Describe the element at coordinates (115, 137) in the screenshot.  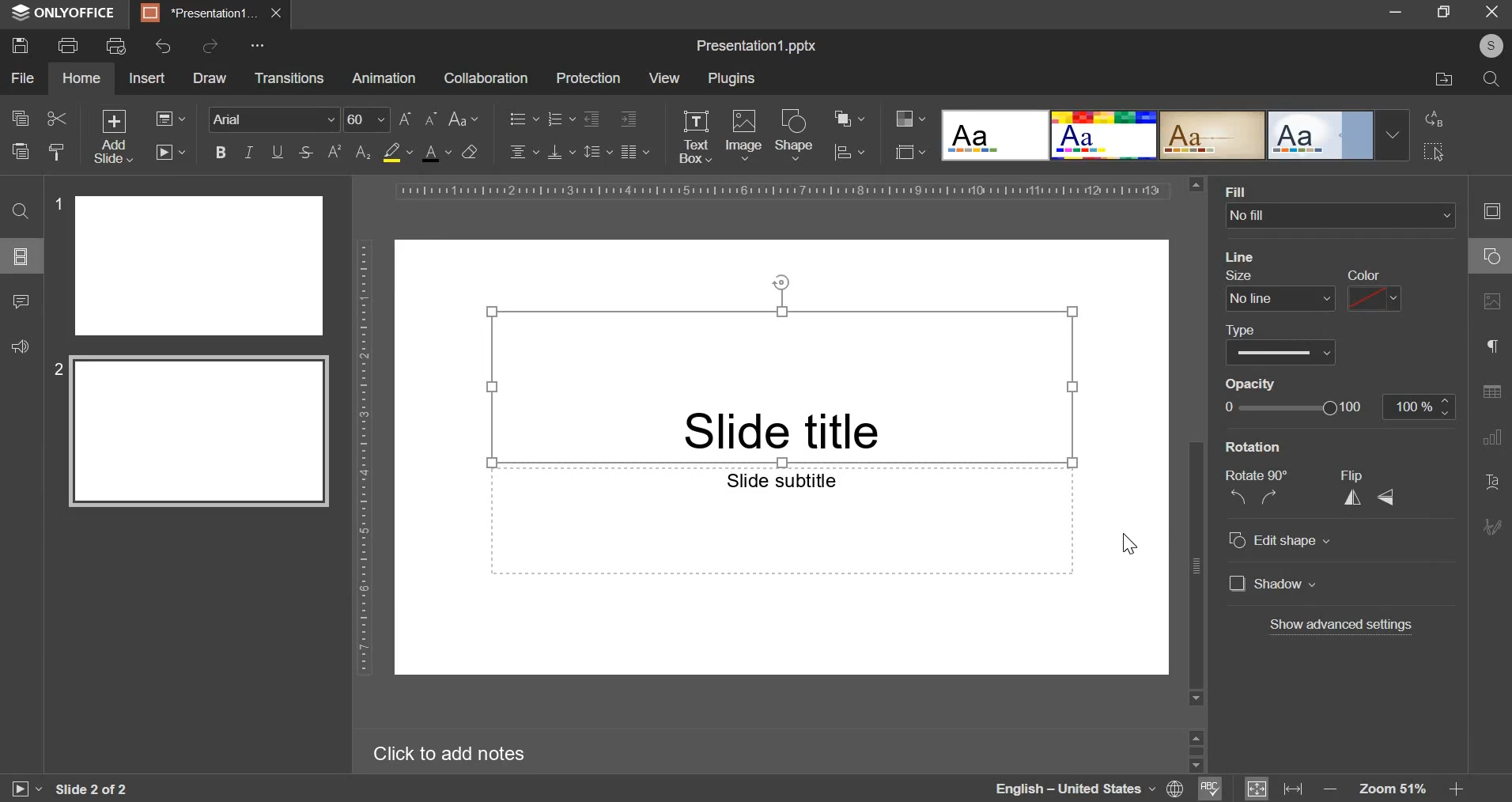
I see `add slide` at that location.